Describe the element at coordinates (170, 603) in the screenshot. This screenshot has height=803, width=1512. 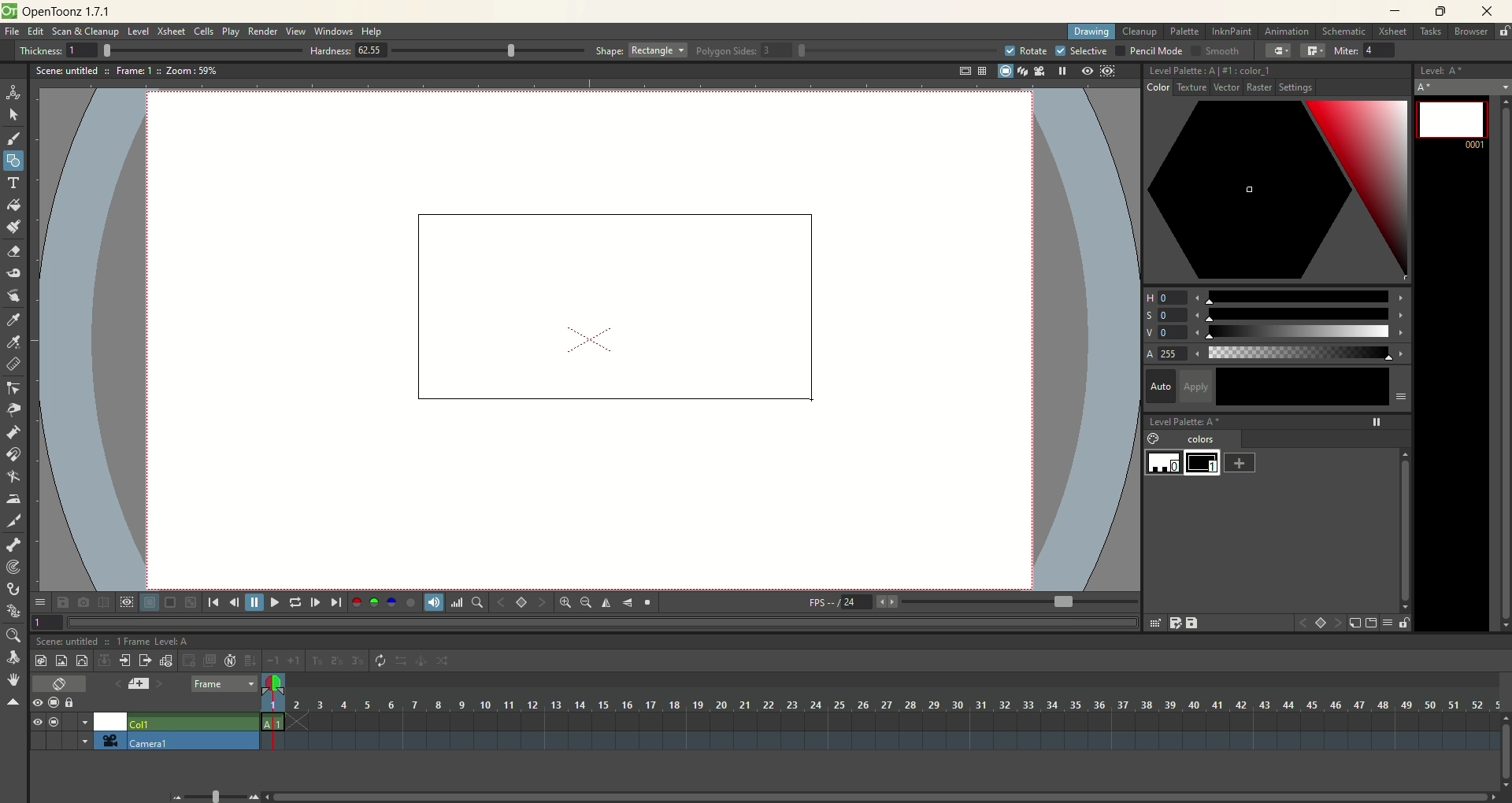
I see `black background` at that location.